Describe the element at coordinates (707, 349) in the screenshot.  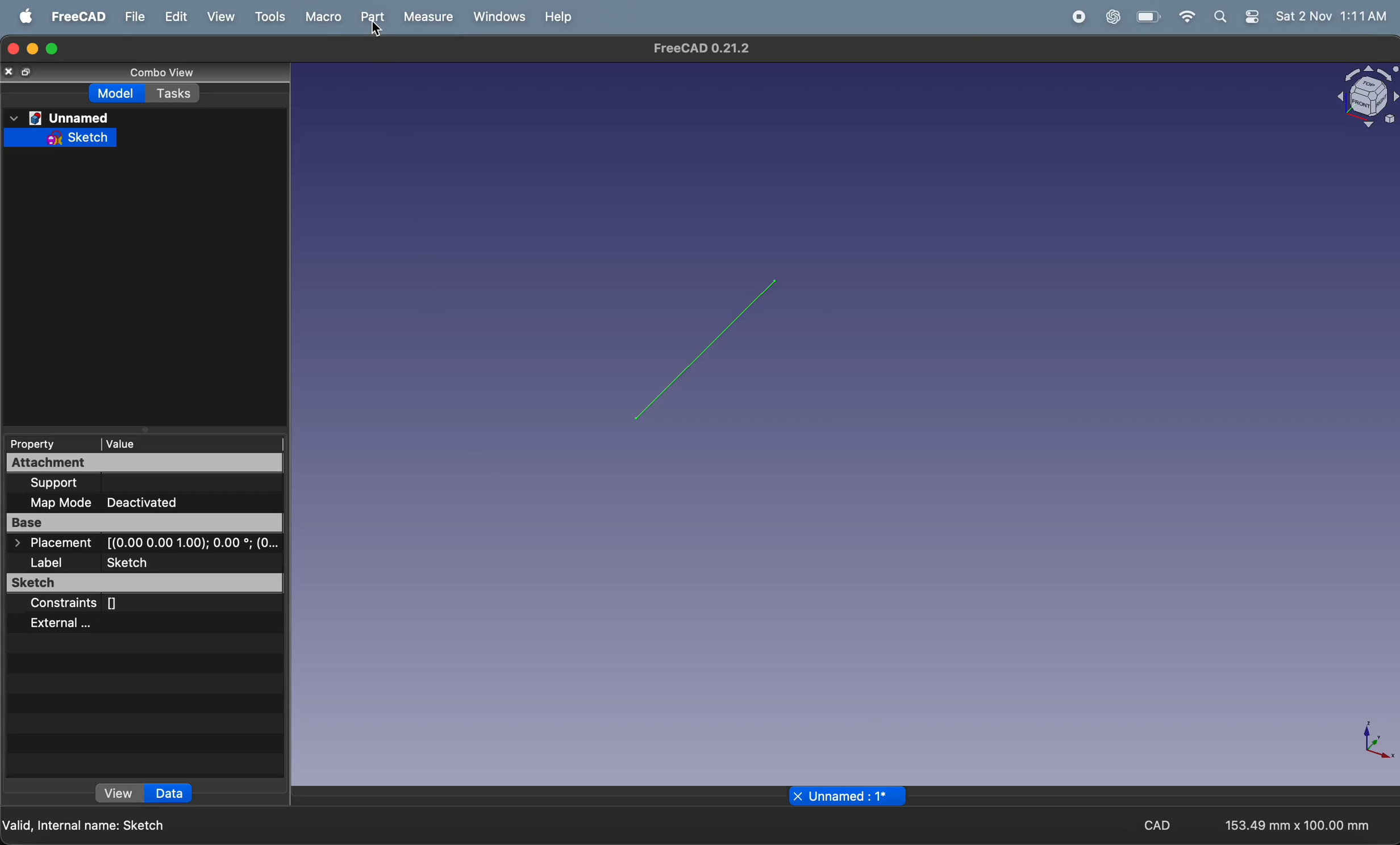
I see `2D line` at that location.